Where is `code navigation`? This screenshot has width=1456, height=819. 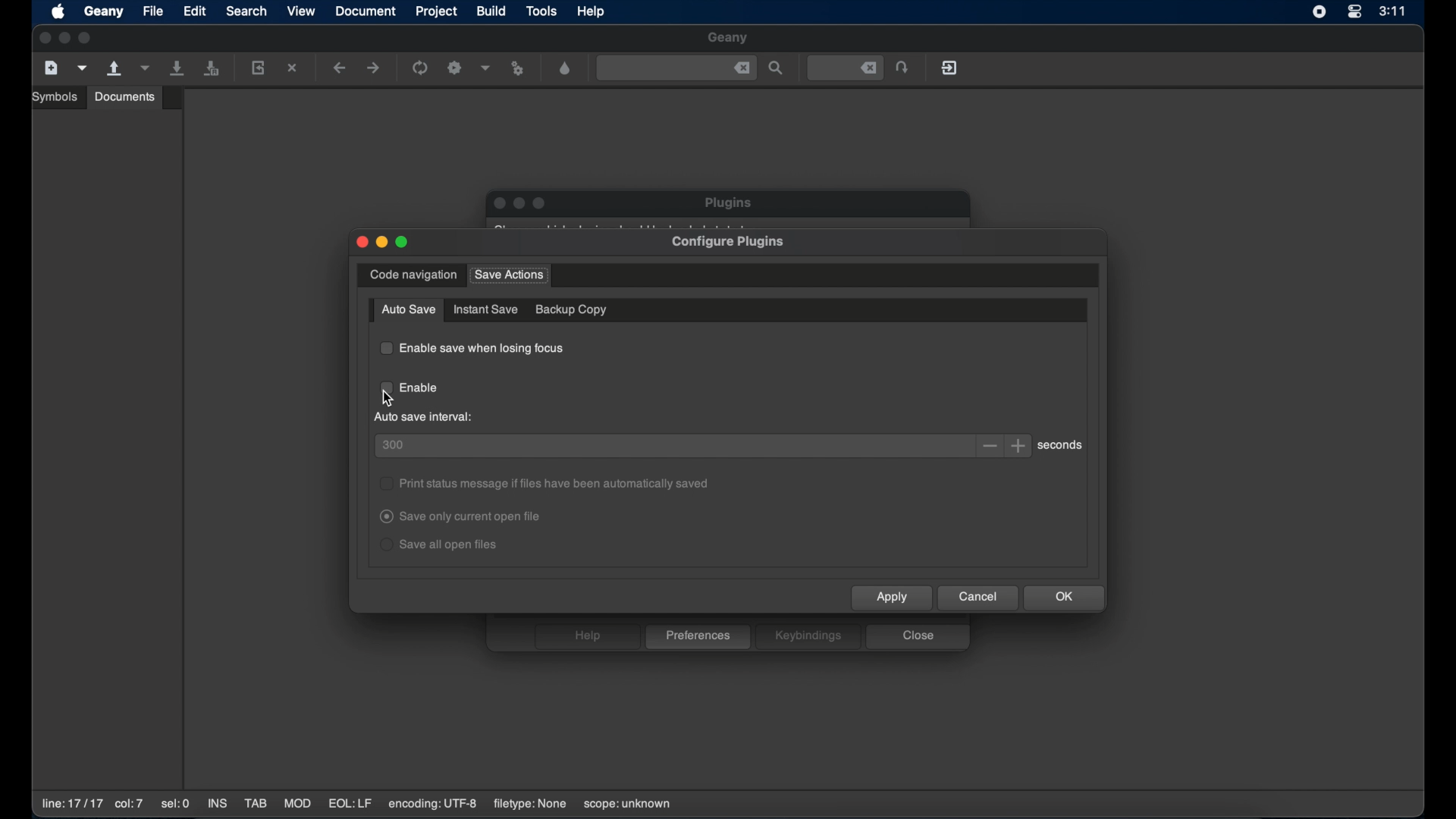 code navigation is located at coordinates (413, 275).